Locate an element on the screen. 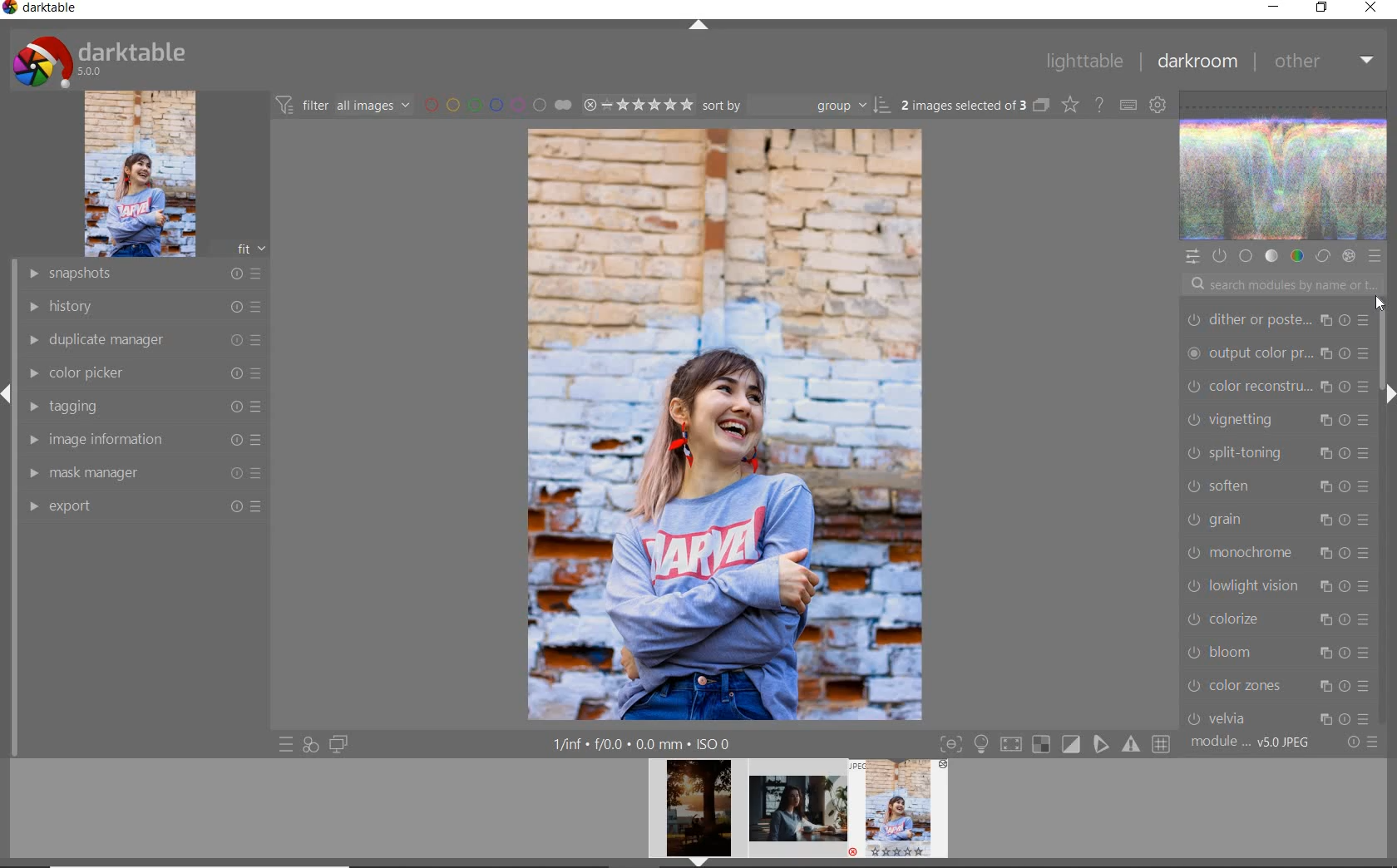 Image resolution: width=1397 pixels, height=868 pixels. quick access to preset is located at coordinates (287, 745).